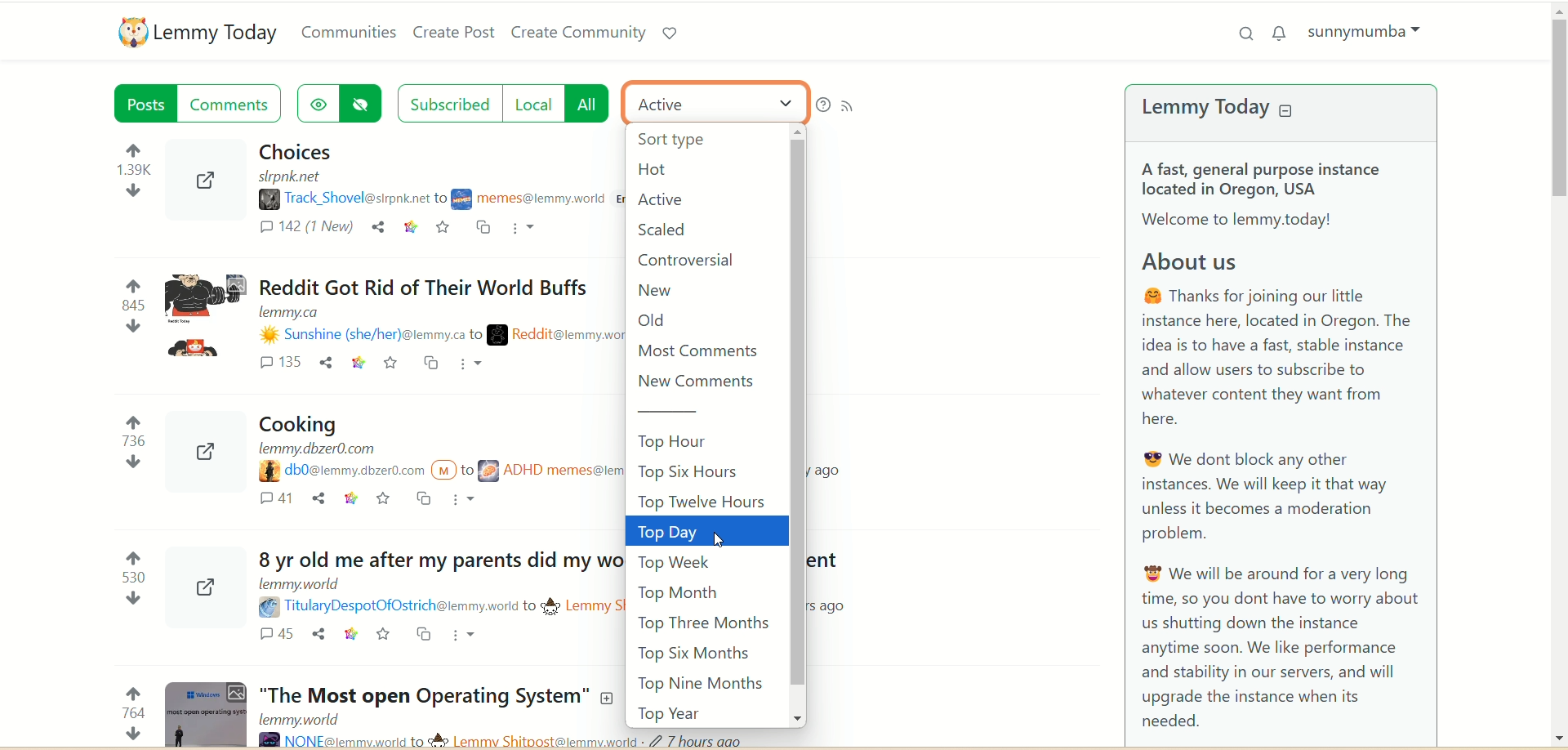  Describe the element at coordinates (822, 105) in the screenshot. I see `help` at that location.